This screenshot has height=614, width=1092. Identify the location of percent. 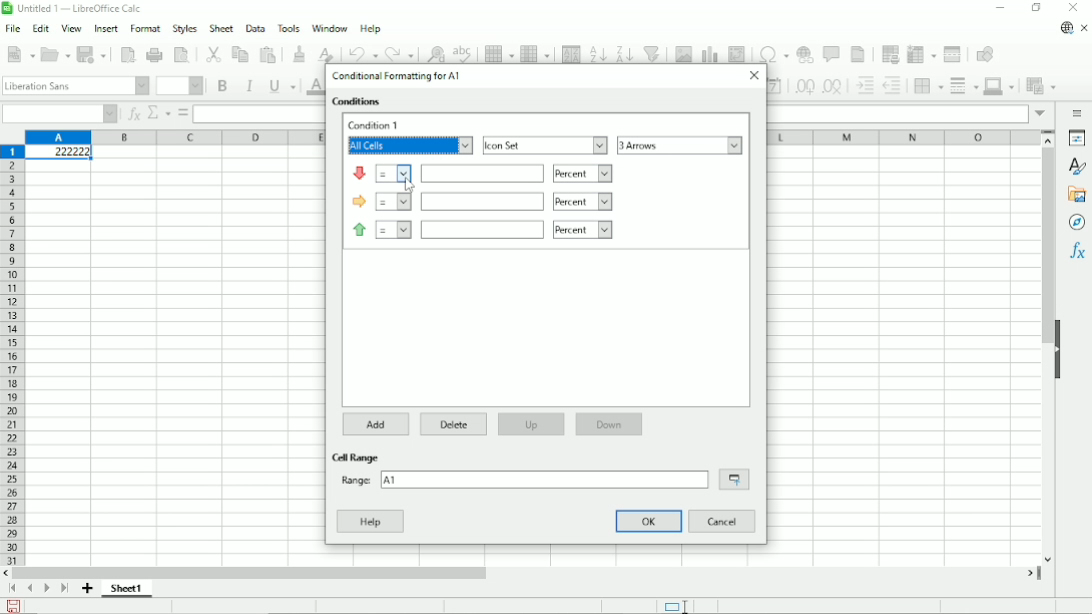
(582, 229).